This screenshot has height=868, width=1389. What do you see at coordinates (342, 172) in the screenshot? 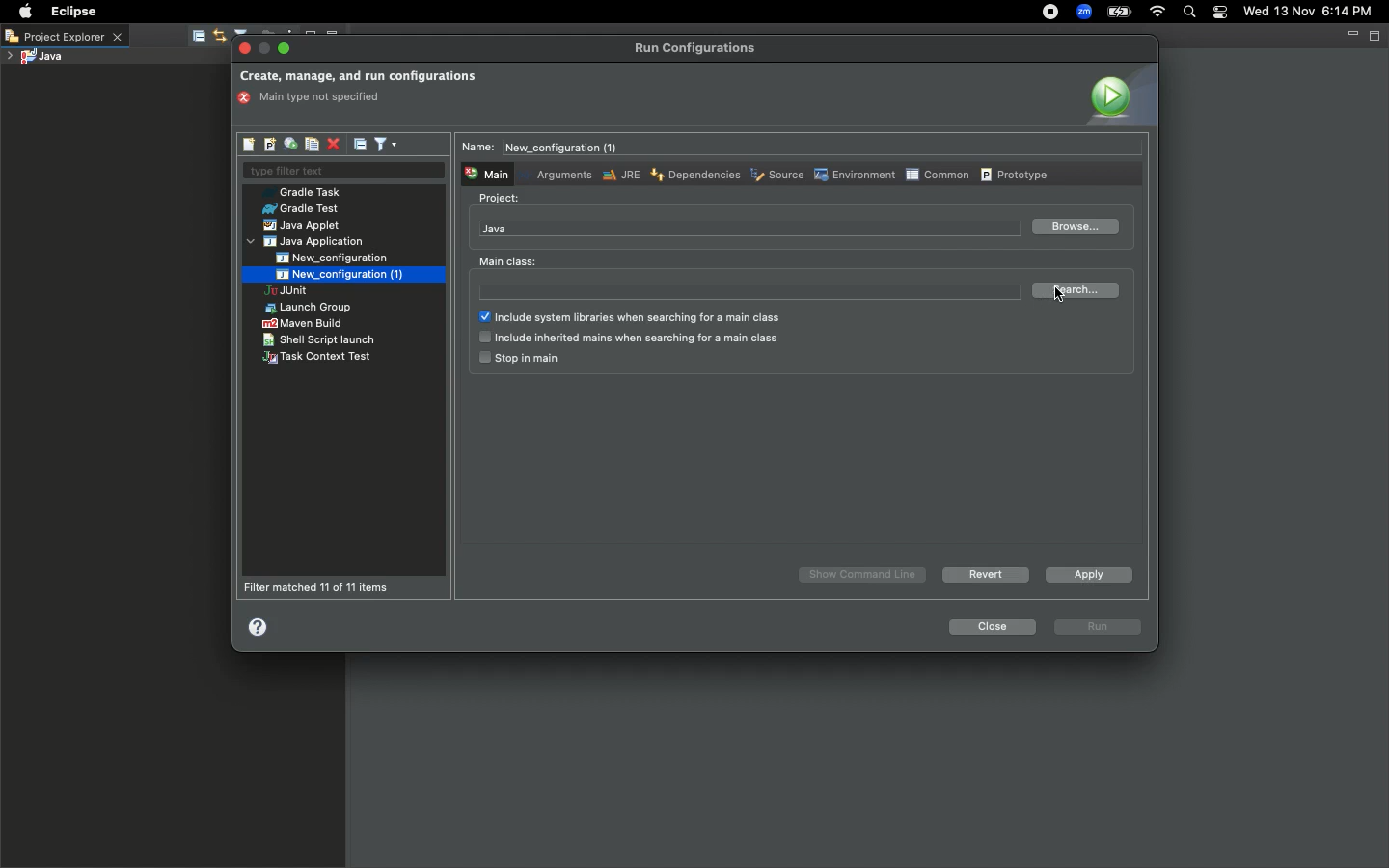
I see `Type filter text` at bounding box center [342, 172].